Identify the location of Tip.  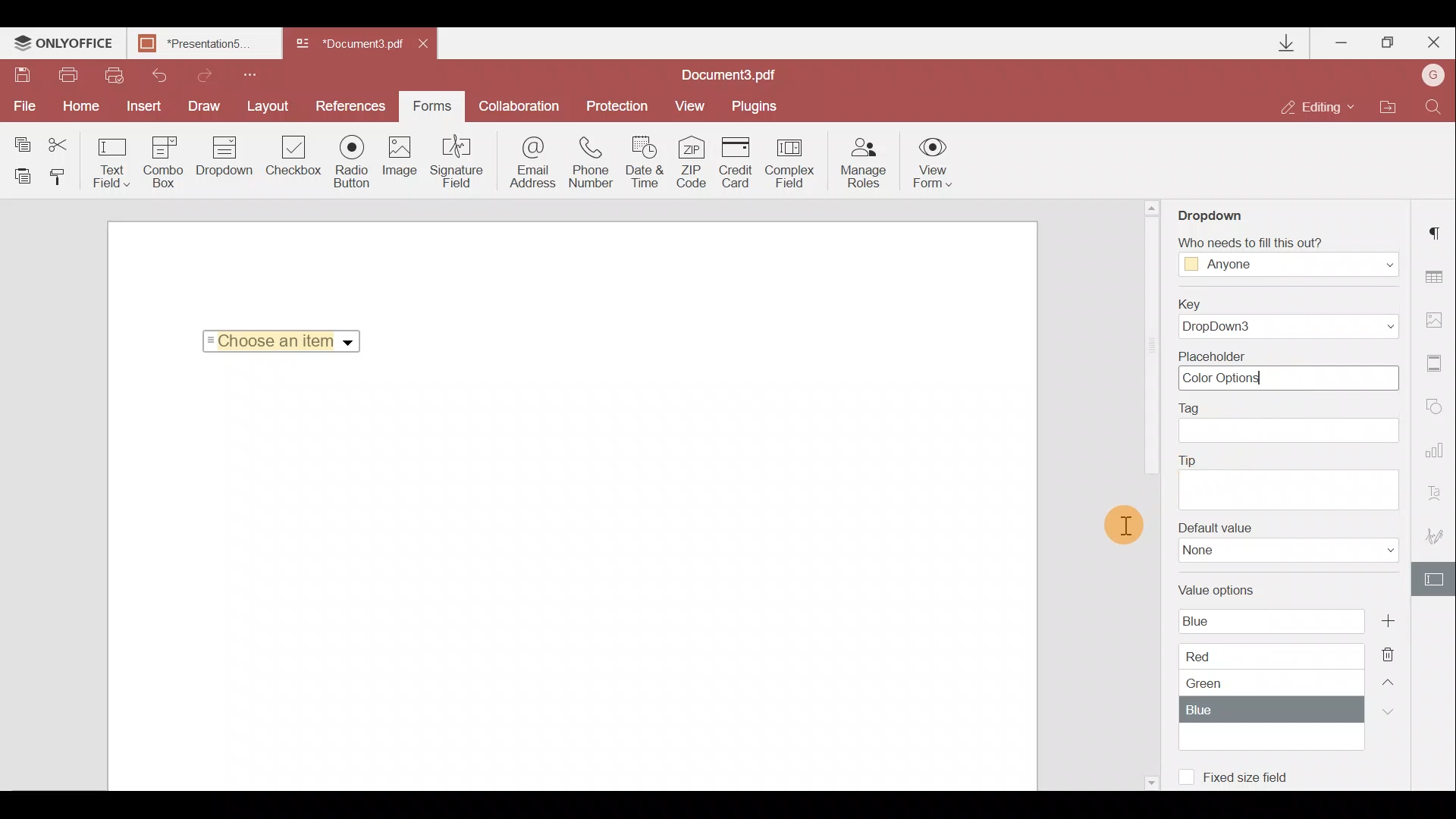
(1288, 480).